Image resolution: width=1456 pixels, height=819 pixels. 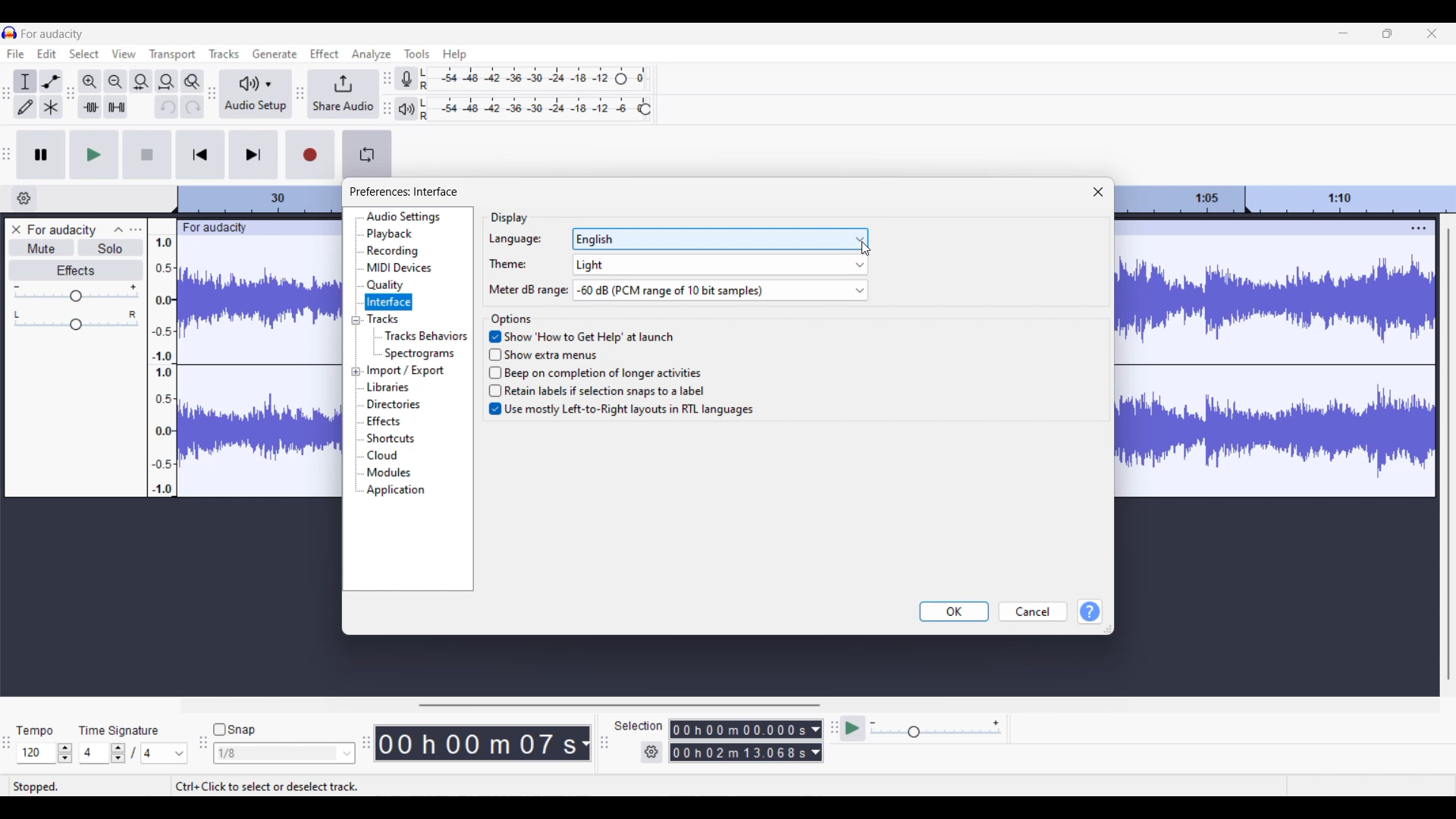 I want to click on Close interface, so click(x=1432, y=33).